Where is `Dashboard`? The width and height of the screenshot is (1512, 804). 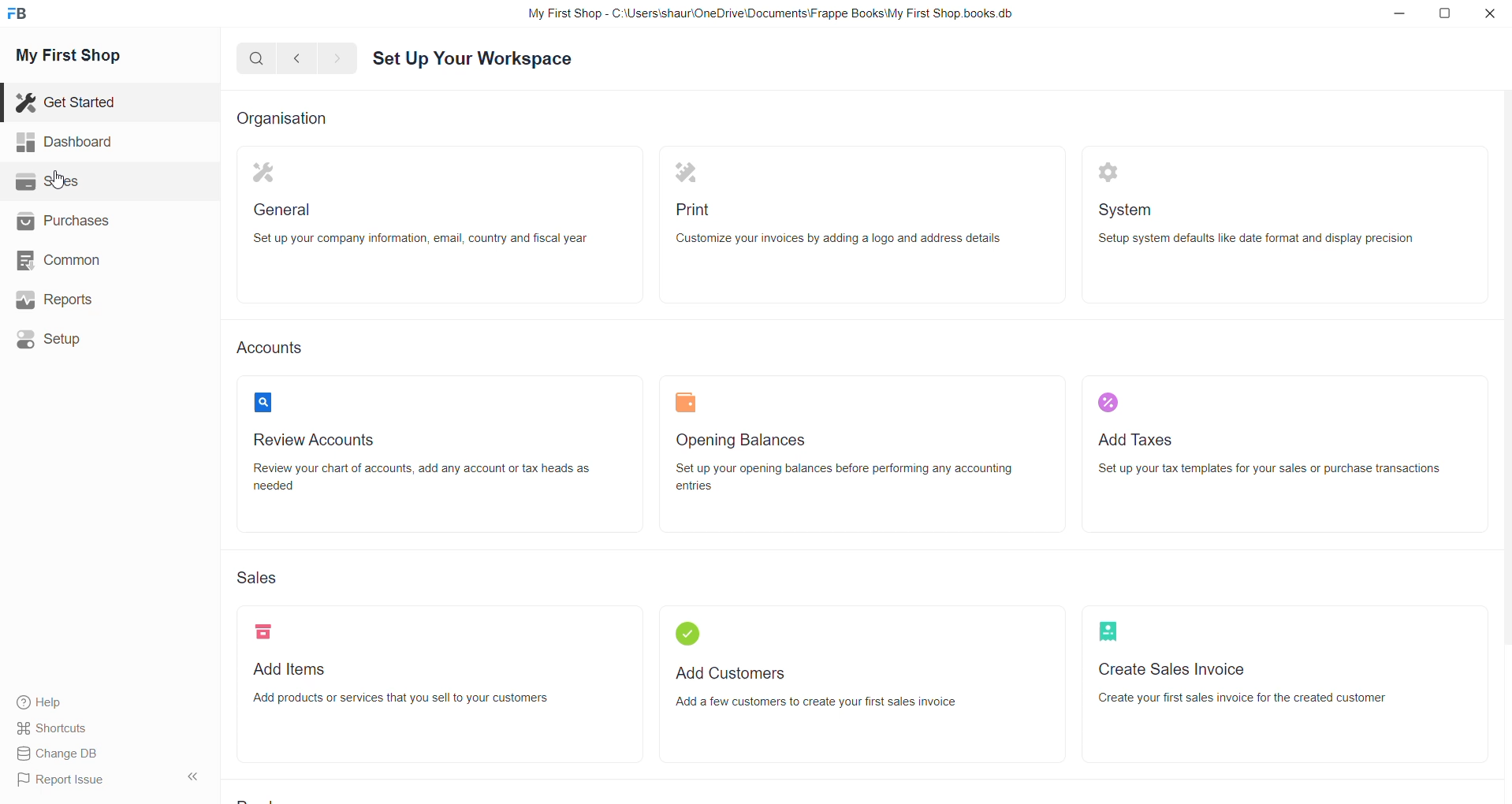 Dashboard is located at coordinates (61, 140).